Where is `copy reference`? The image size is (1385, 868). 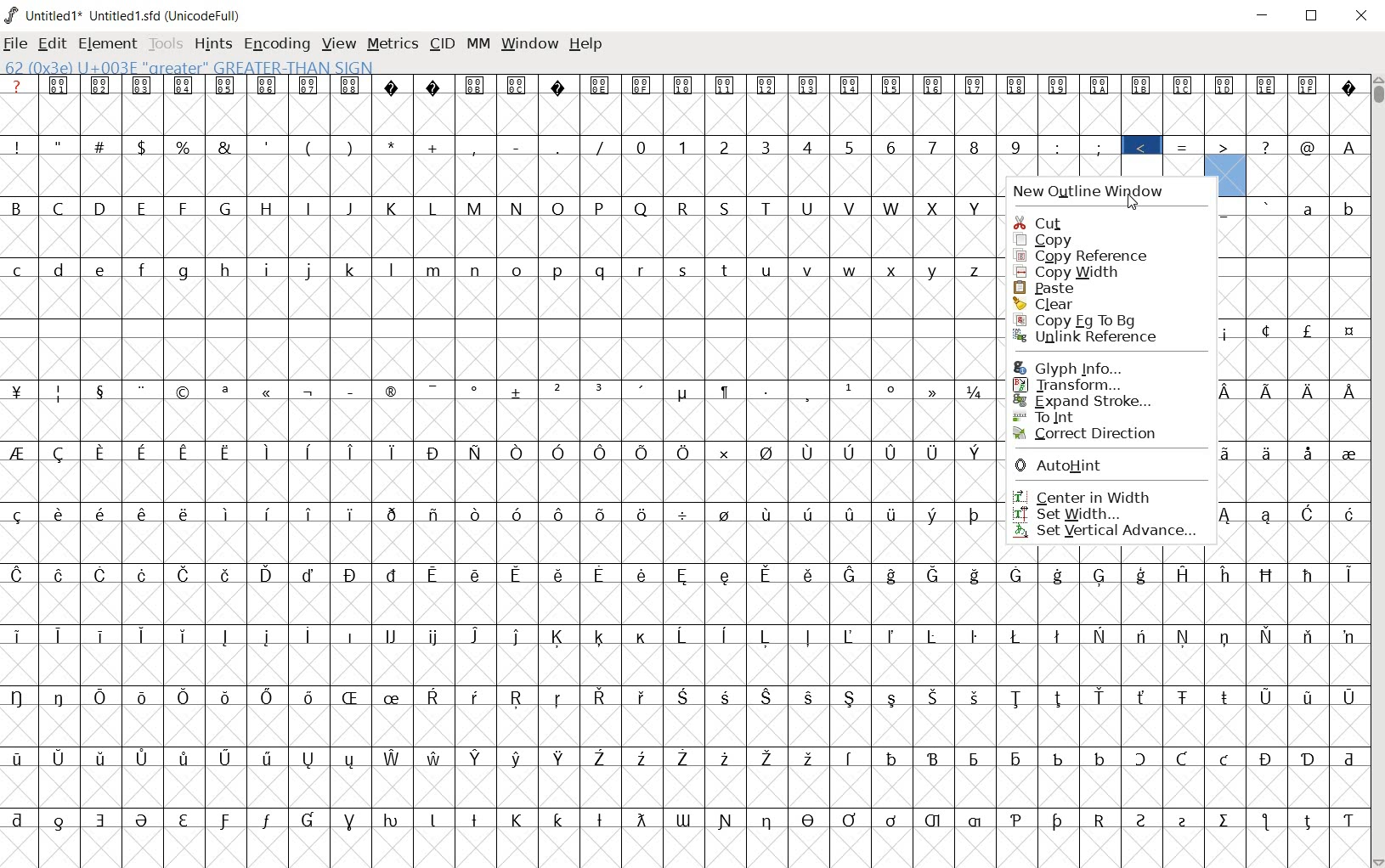
copy reference is located at coordinates (1082, 257).